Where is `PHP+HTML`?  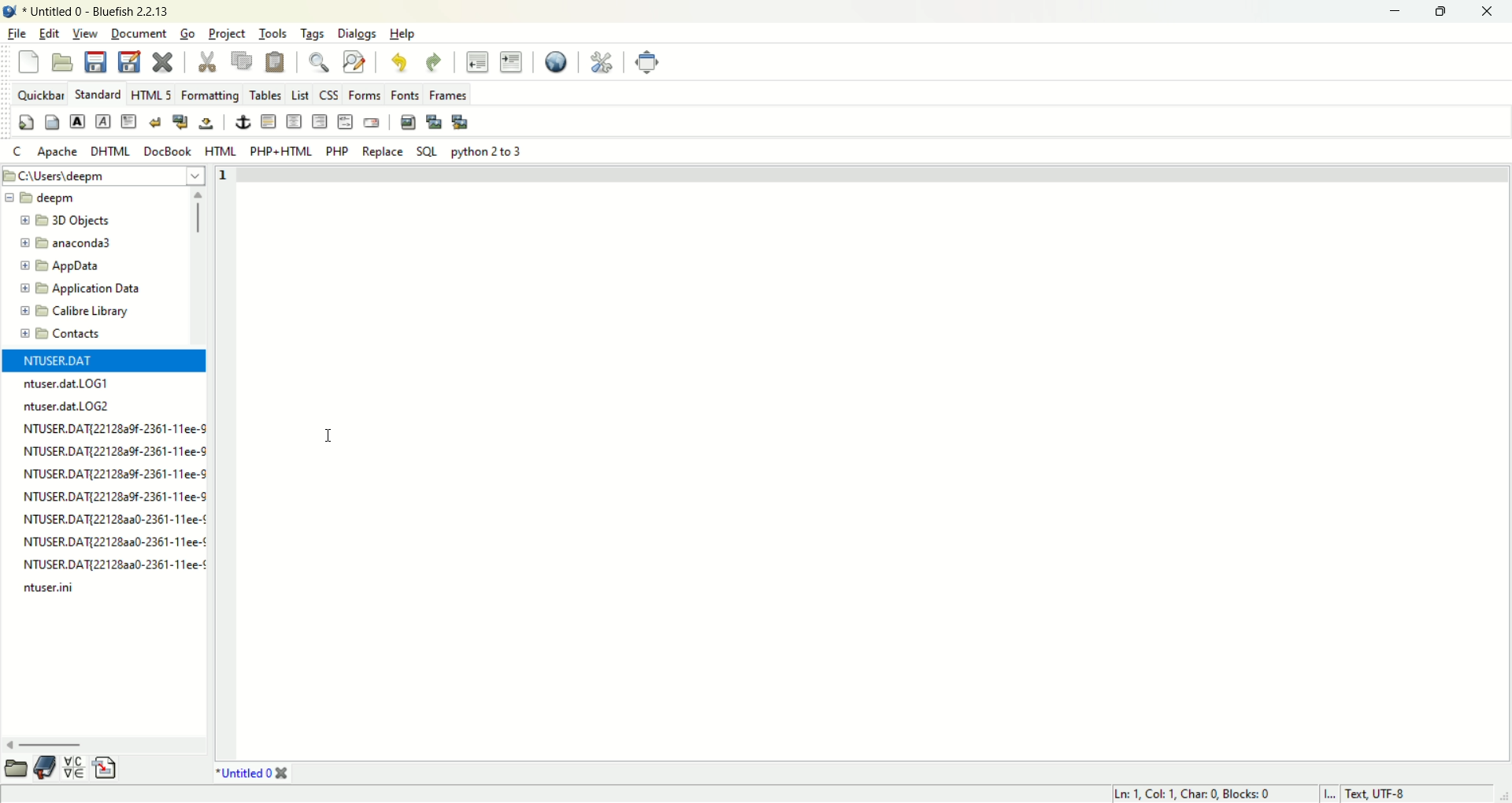 PHP+HTML is located at coordinates (279, 152).